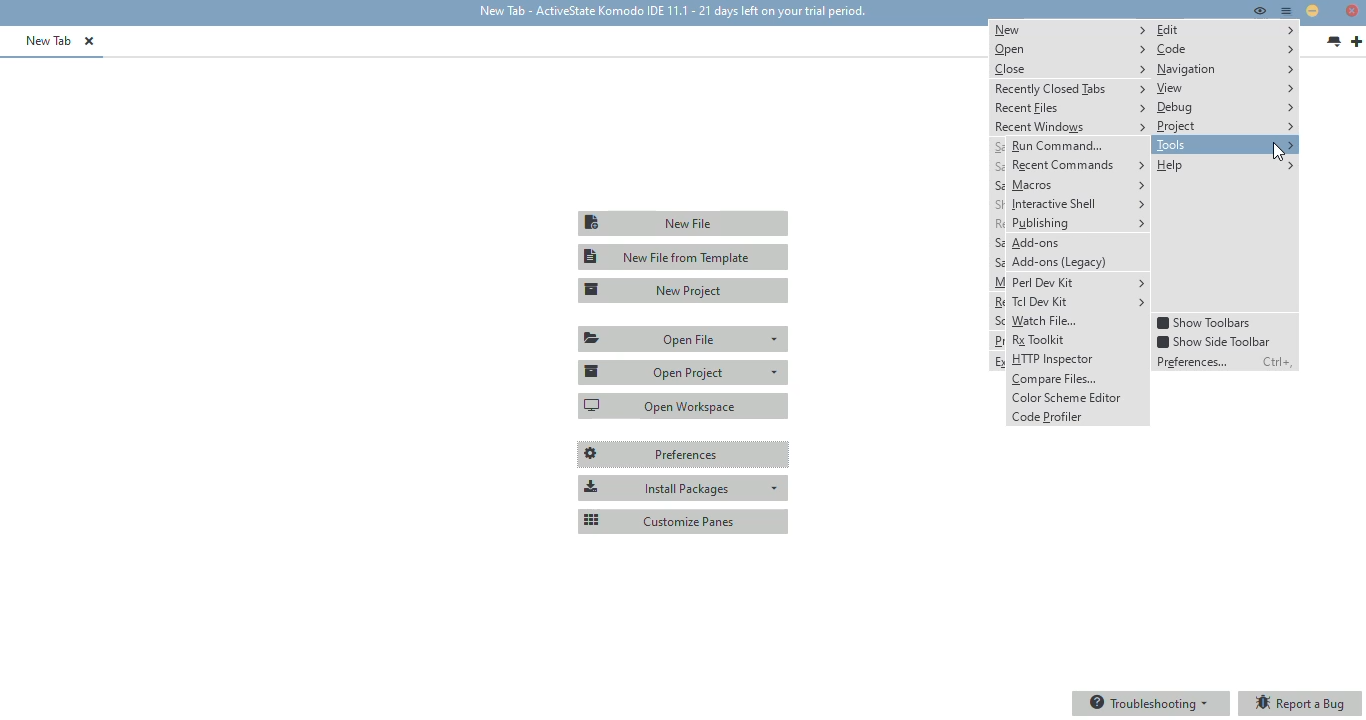  What do you see at coordinates (1225, 145) in the screenshot?
I see `tools` at bounding box center [1225, 145].